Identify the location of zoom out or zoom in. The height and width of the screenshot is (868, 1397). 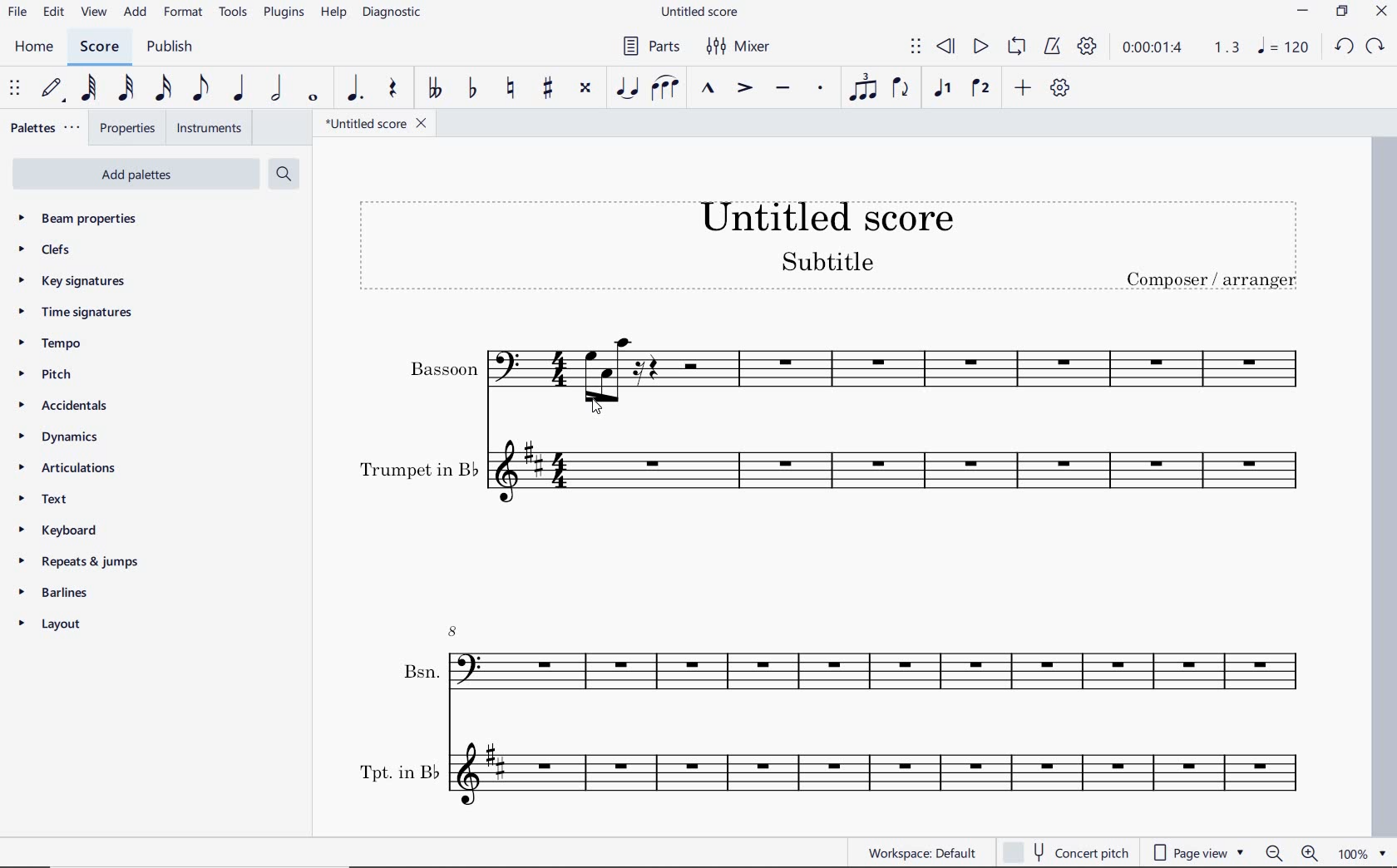
(1292, 851).